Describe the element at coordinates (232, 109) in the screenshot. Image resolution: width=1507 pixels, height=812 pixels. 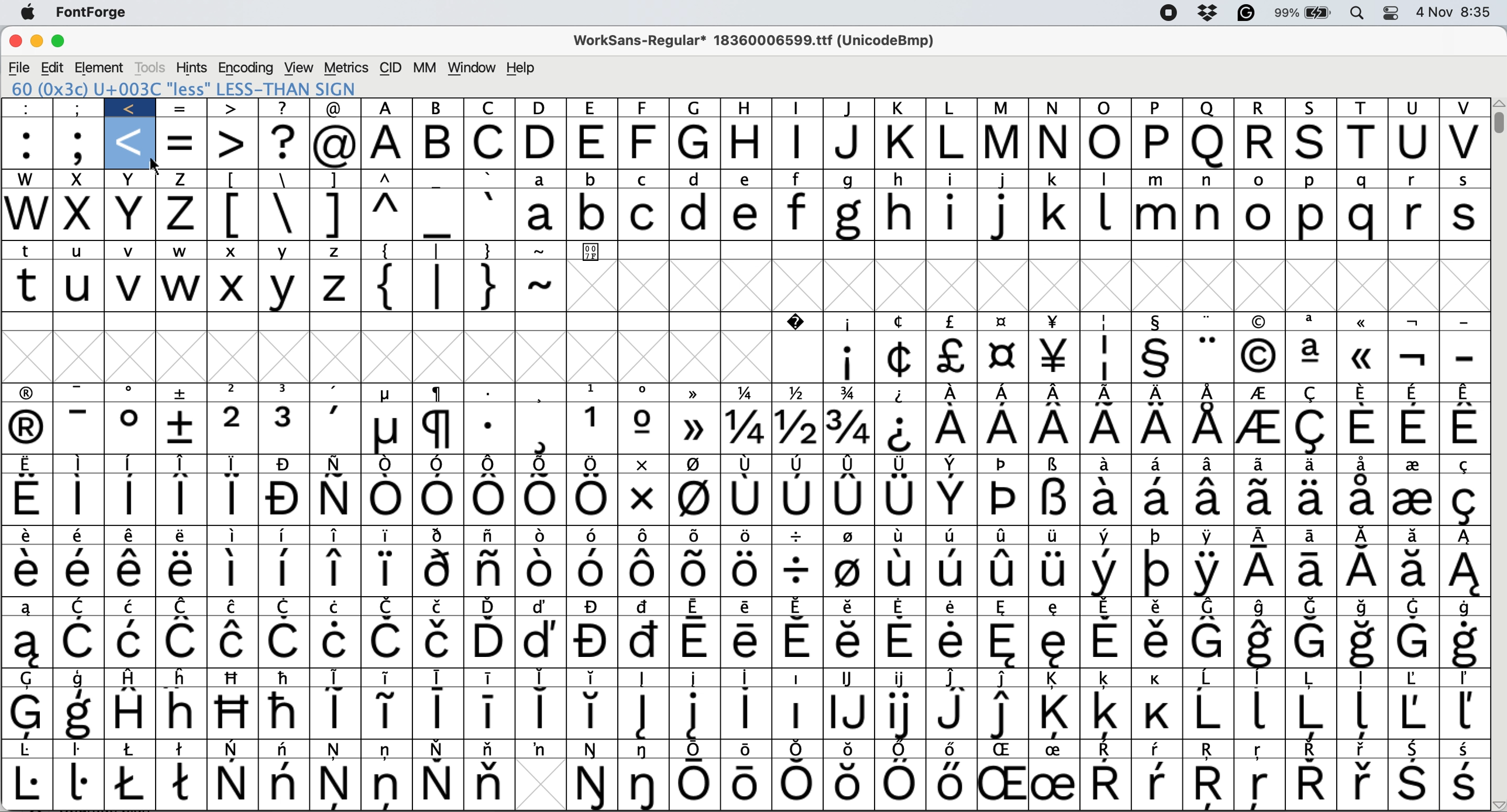
I see `>` at that location.